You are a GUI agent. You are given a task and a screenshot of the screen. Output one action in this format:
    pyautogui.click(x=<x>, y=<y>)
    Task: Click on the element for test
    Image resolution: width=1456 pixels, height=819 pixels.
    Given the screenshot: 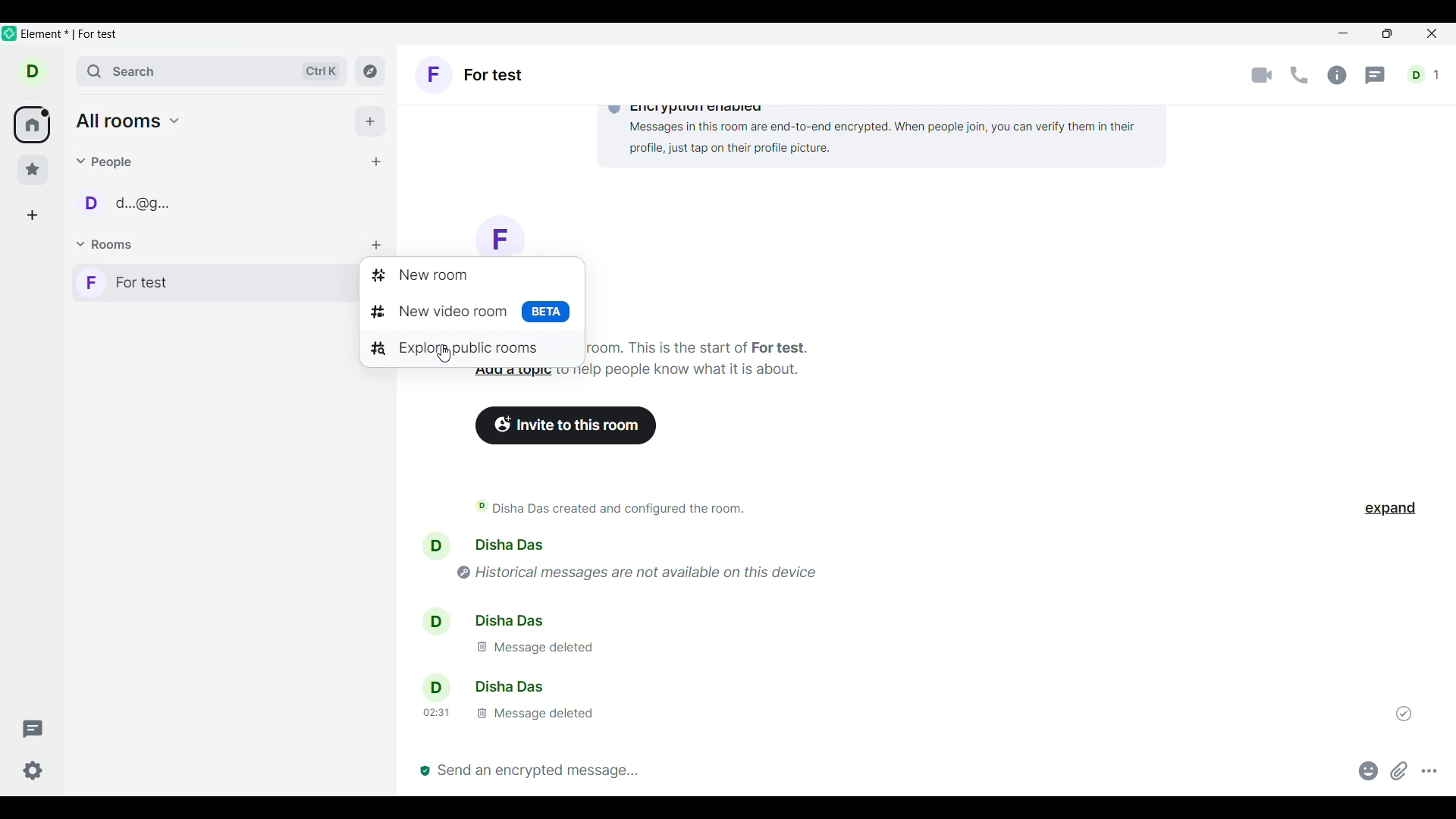 What is the action you would take?
    pyautogui.click(x=68, y=34)
    